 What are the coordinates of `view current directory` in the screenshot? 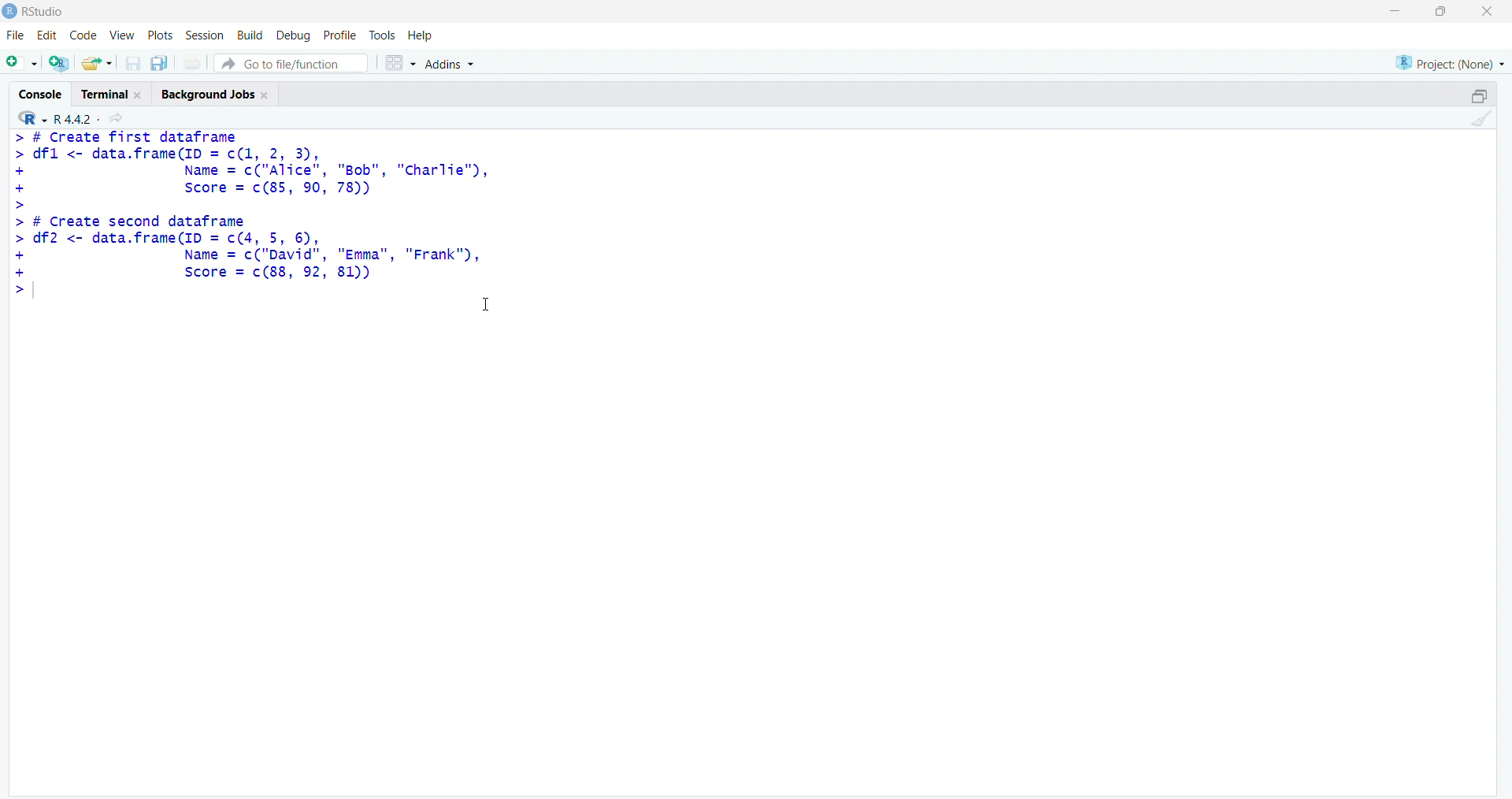 It's located at (115, 117).